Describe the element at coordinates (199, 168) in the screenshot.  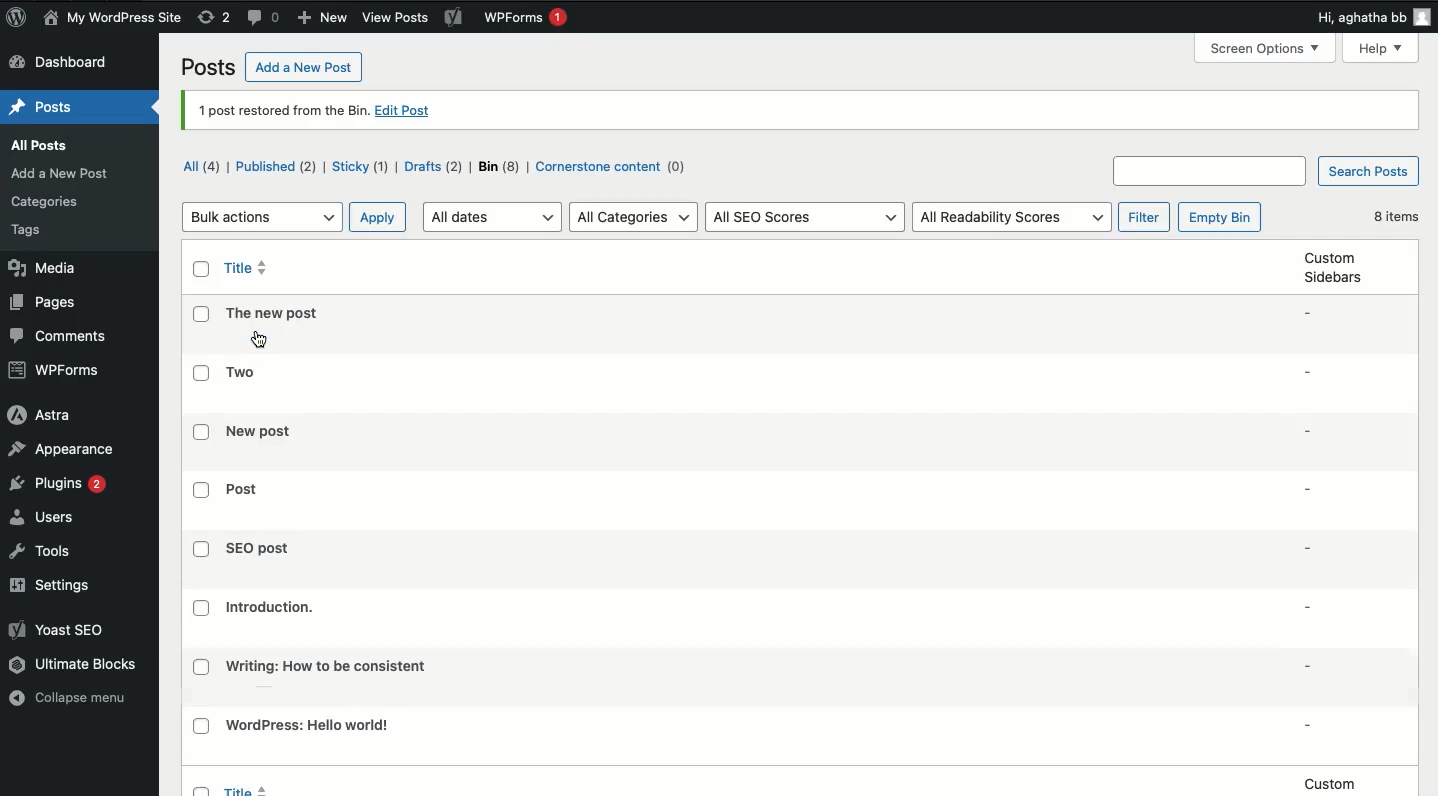
I see `All` at that location.